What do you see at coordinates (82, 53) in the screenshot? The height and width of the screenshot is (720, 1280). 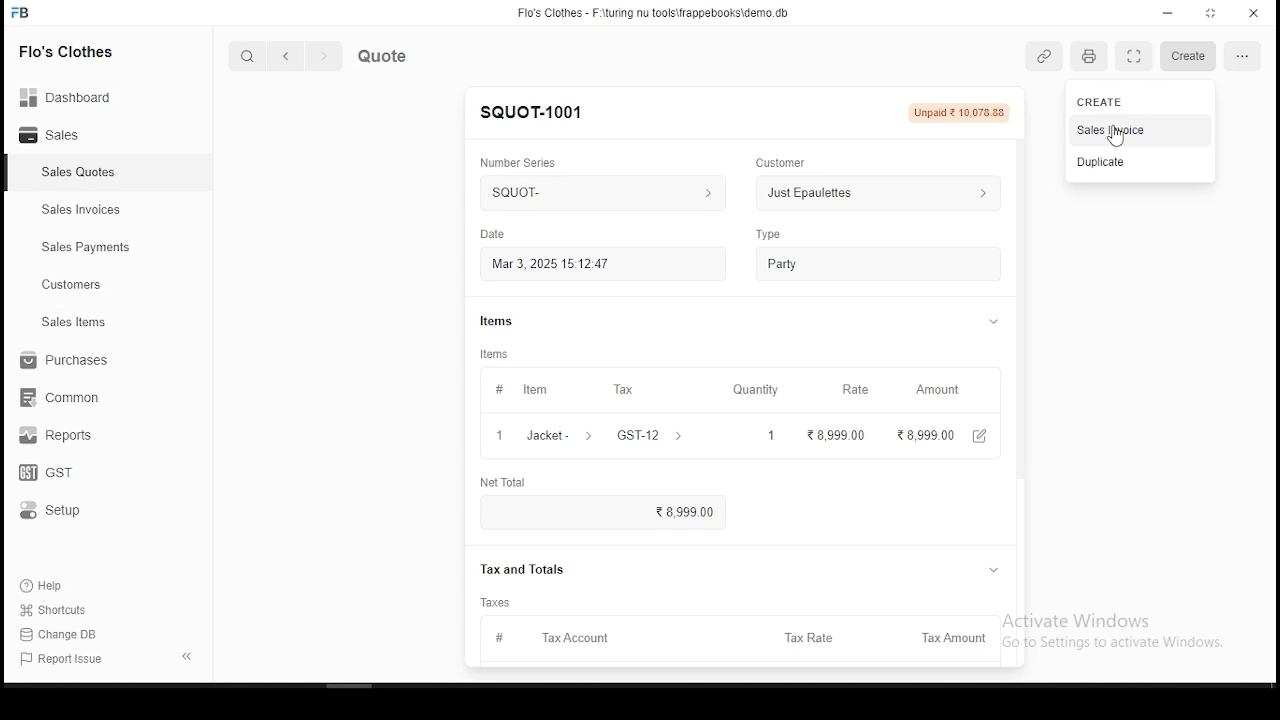 I see `Flo's clothes` at bounding box center [82, 53].